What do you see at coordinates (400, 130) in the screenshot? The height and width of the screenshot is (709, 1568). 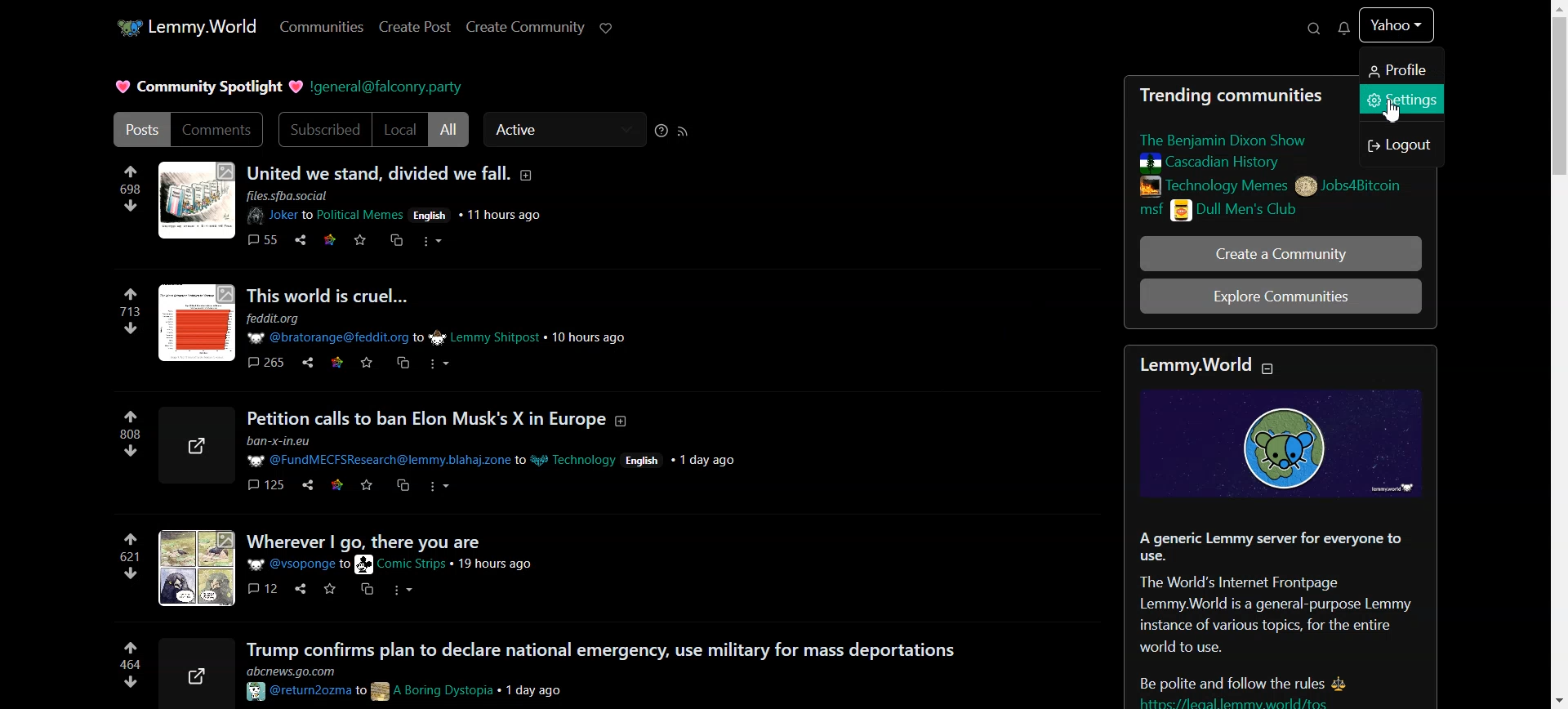 I see `Local` at bounding box center [400, 130].